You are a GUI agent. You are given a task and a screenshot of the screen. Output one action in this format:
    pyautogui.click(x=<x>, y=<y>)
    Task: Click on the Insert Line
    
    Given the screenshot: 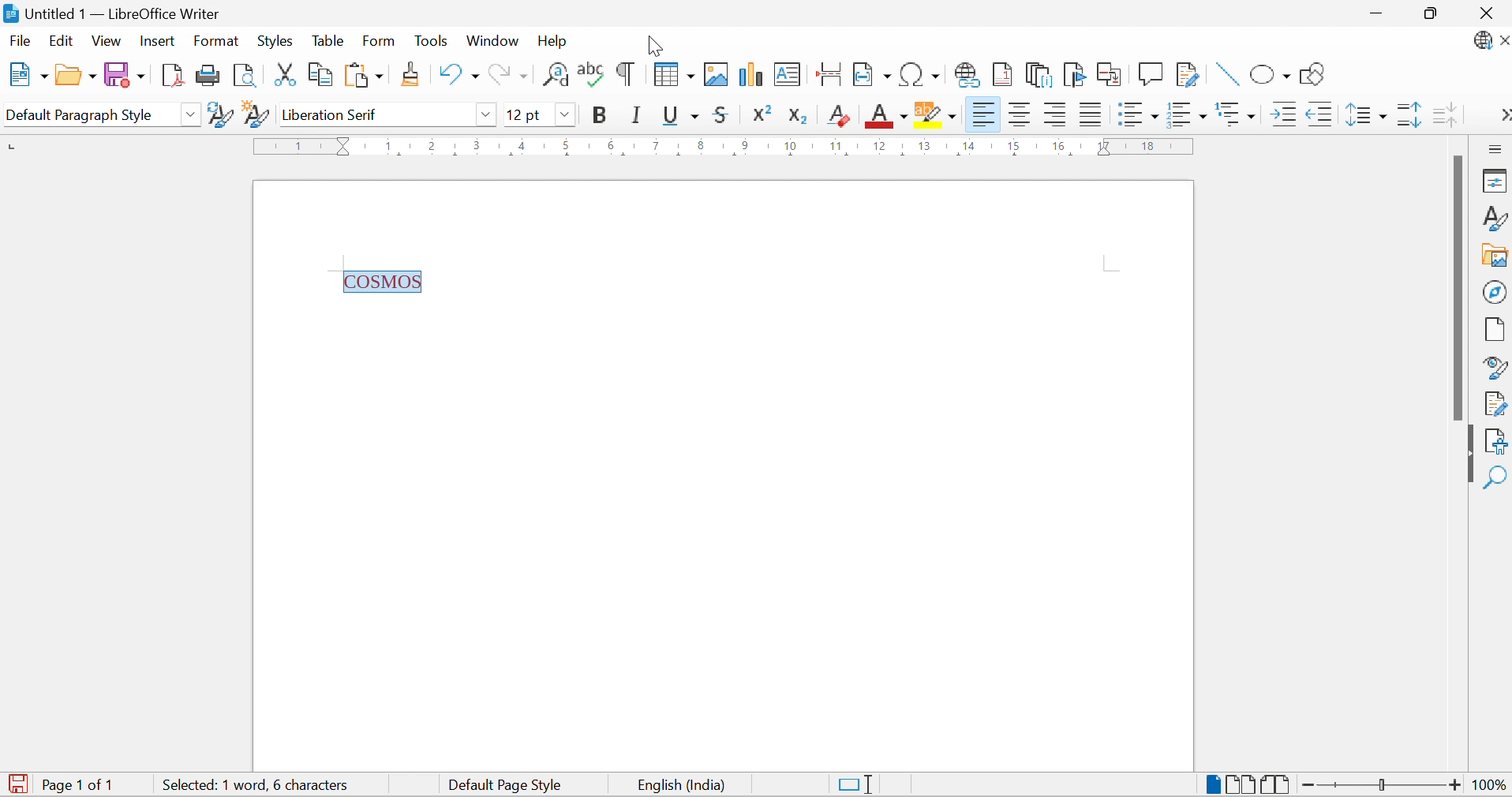 What is the action you would take?
    pyautogui.click(x=1224, y=75)
    